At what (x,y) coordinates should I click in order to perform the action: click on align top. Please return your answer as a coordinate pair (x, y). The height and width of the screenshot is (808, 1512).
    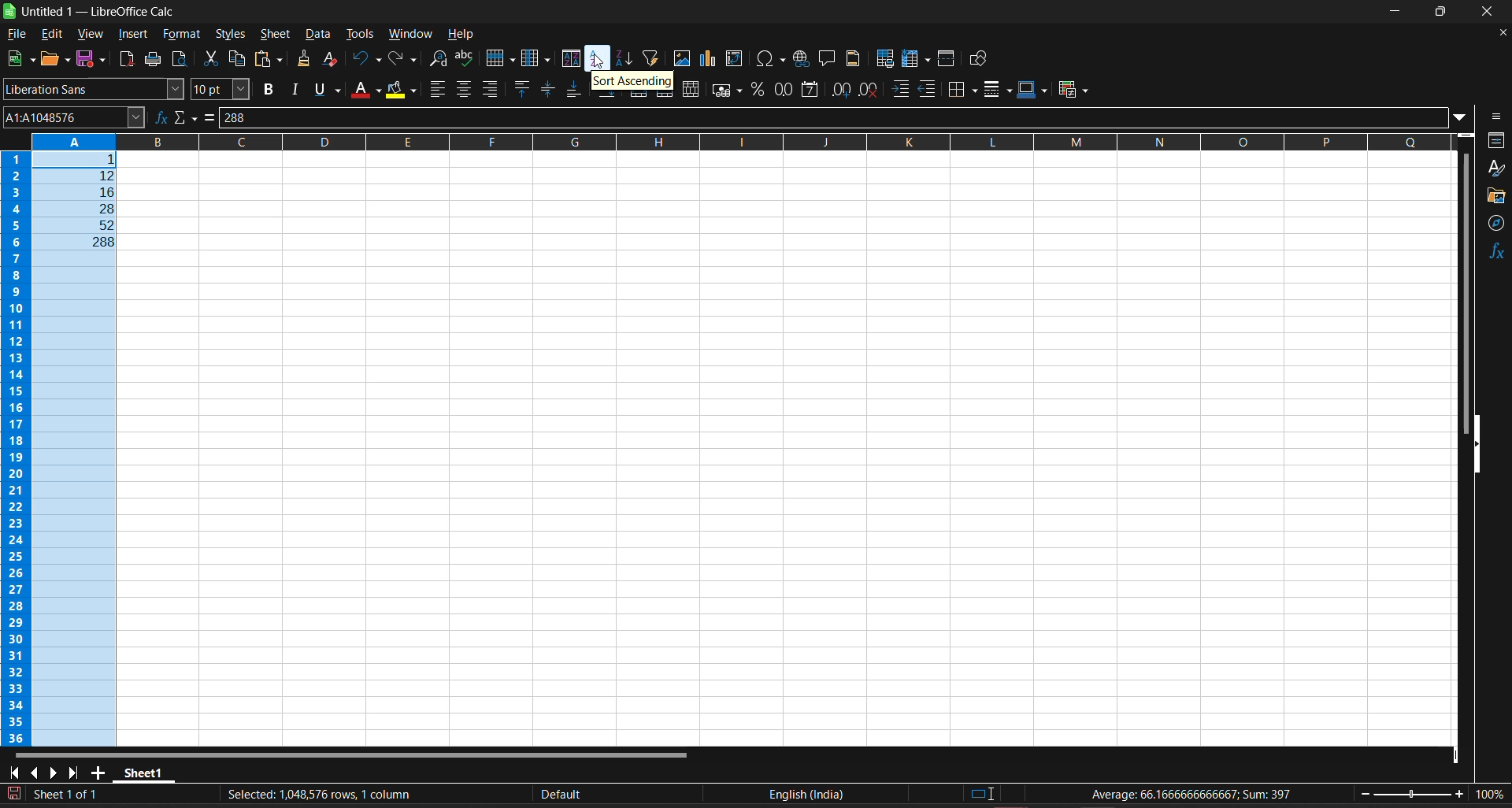
    Looking at the image, I should click on (520, 89).